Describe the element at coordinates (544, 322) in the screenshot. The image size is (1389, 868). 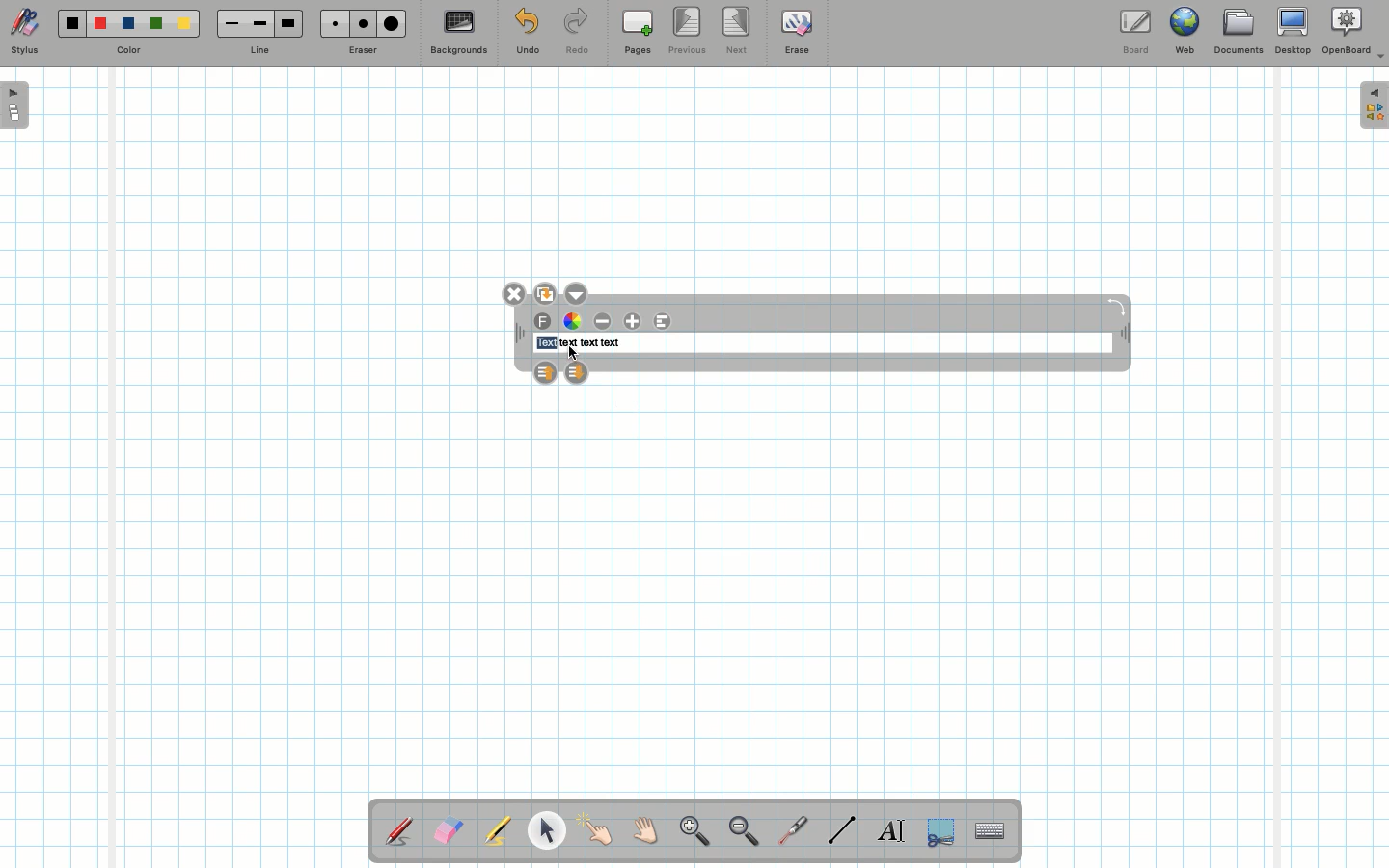
I see `Font` at that location.